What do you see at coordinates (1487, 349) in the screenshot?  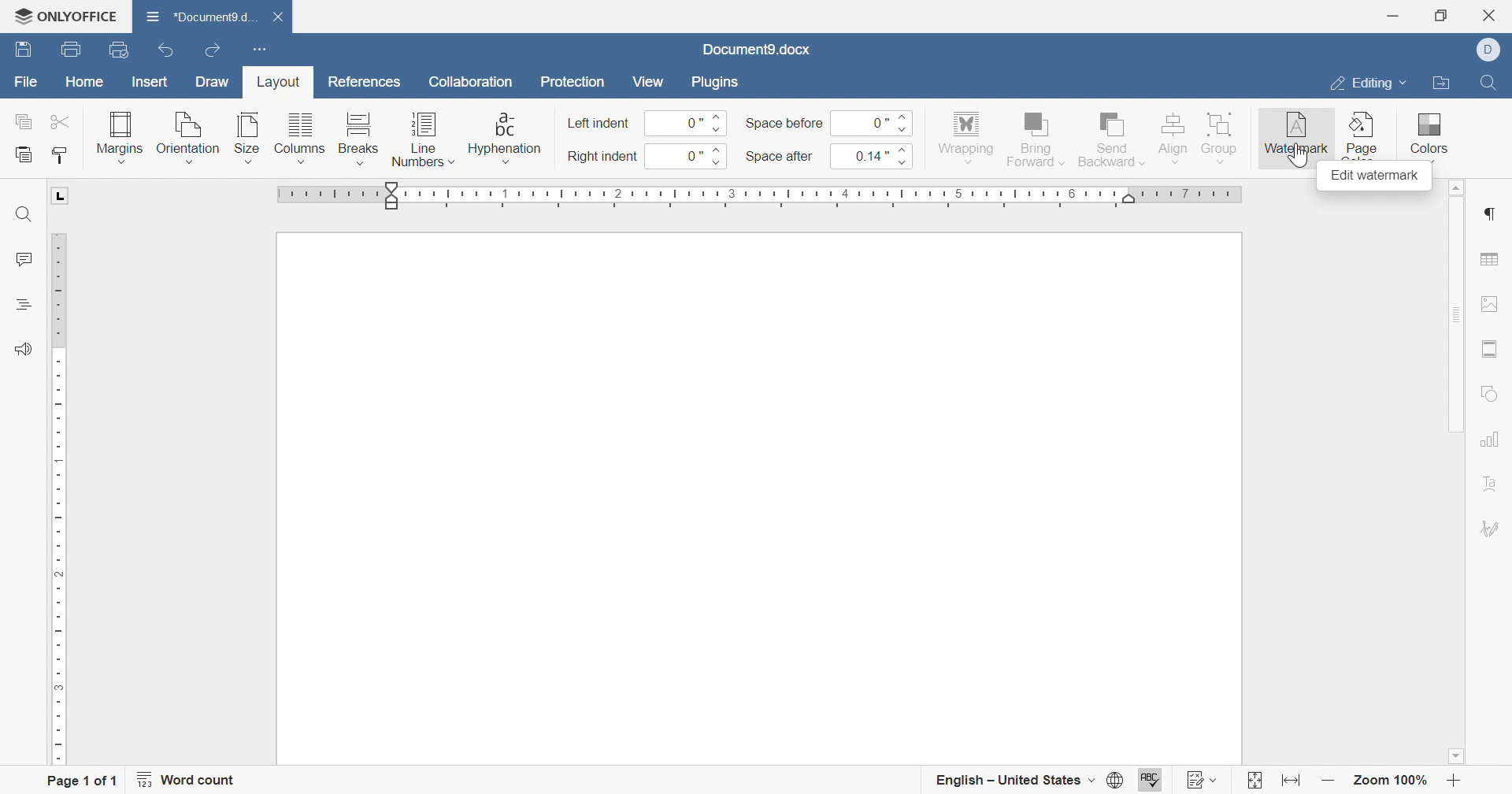 I see `header and footer settings` at bounding box center [1487, 349].